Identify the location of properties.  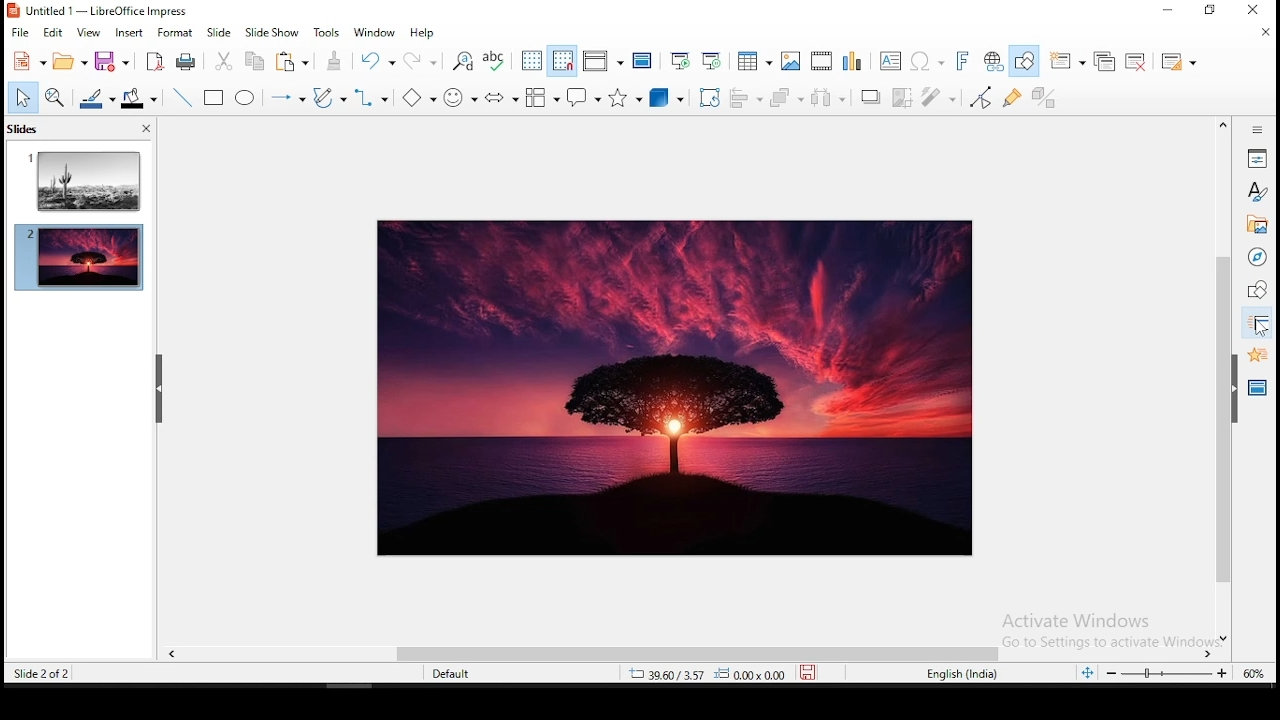
(1257, 159).